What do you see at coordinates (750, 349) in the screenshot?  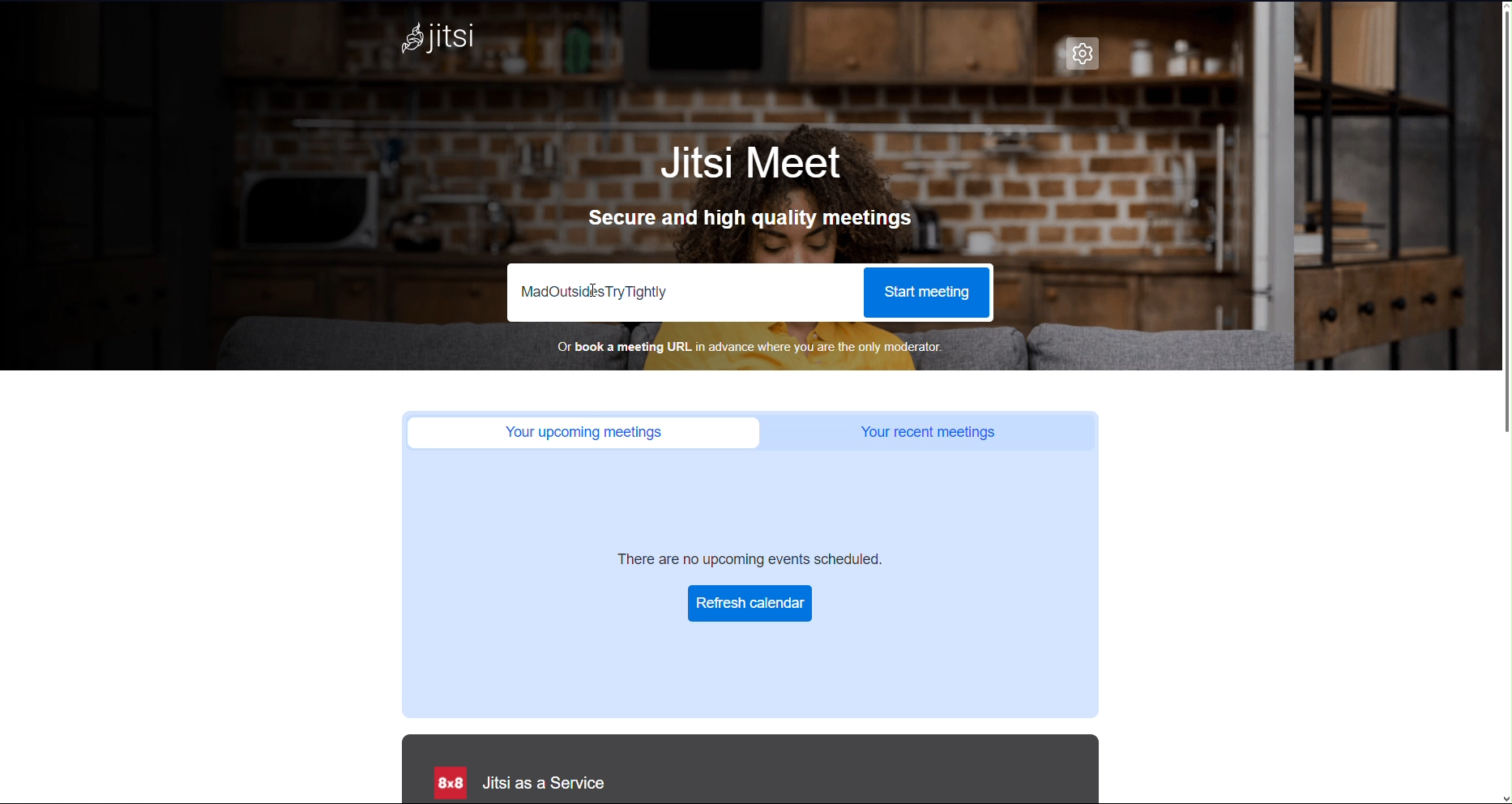 I see `Book a meeting URL in advance where you are the only moderator` at bounding box center [750, 349].